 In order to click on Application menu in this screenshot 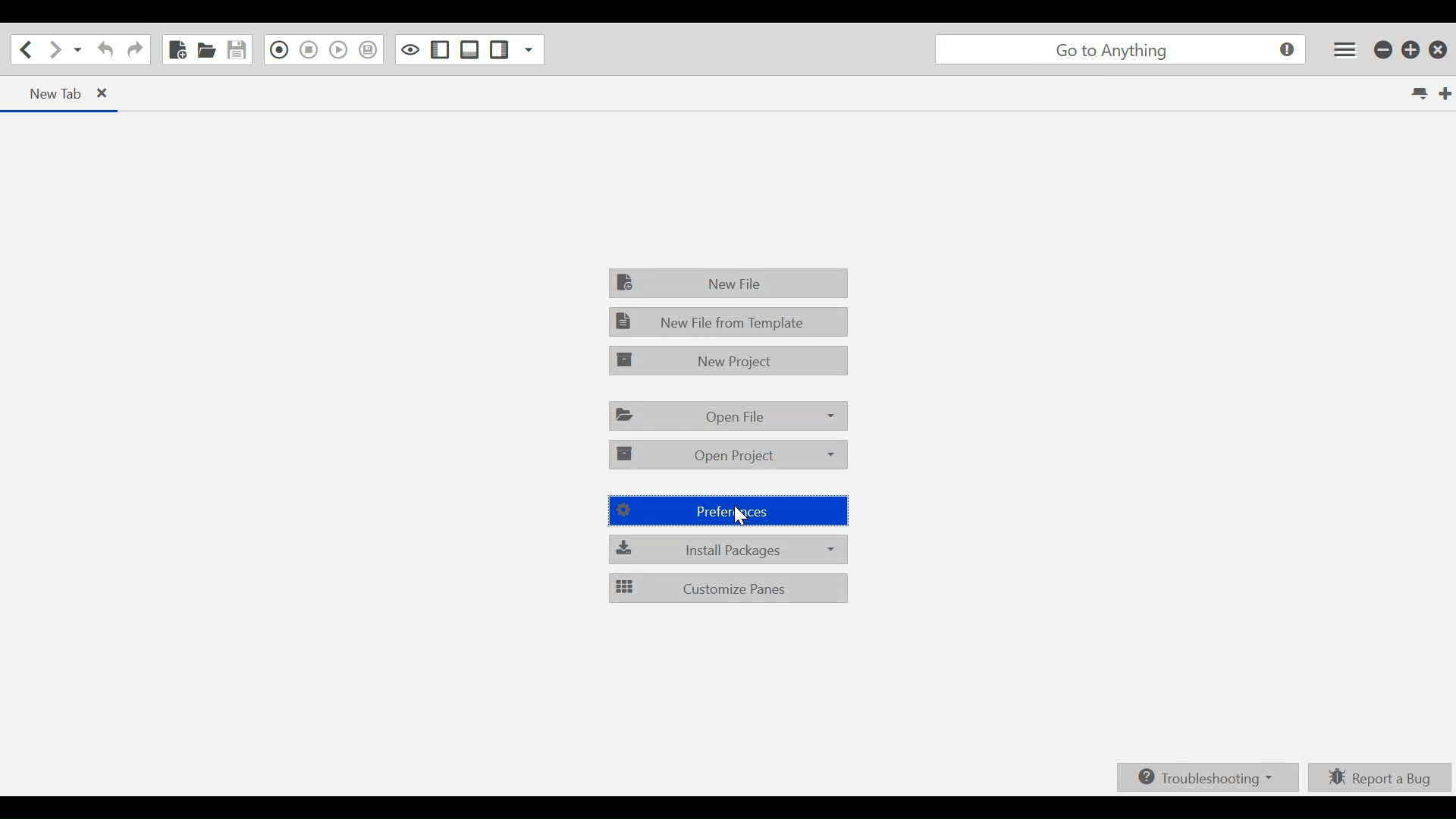, I will do `click(1345, 49)`.